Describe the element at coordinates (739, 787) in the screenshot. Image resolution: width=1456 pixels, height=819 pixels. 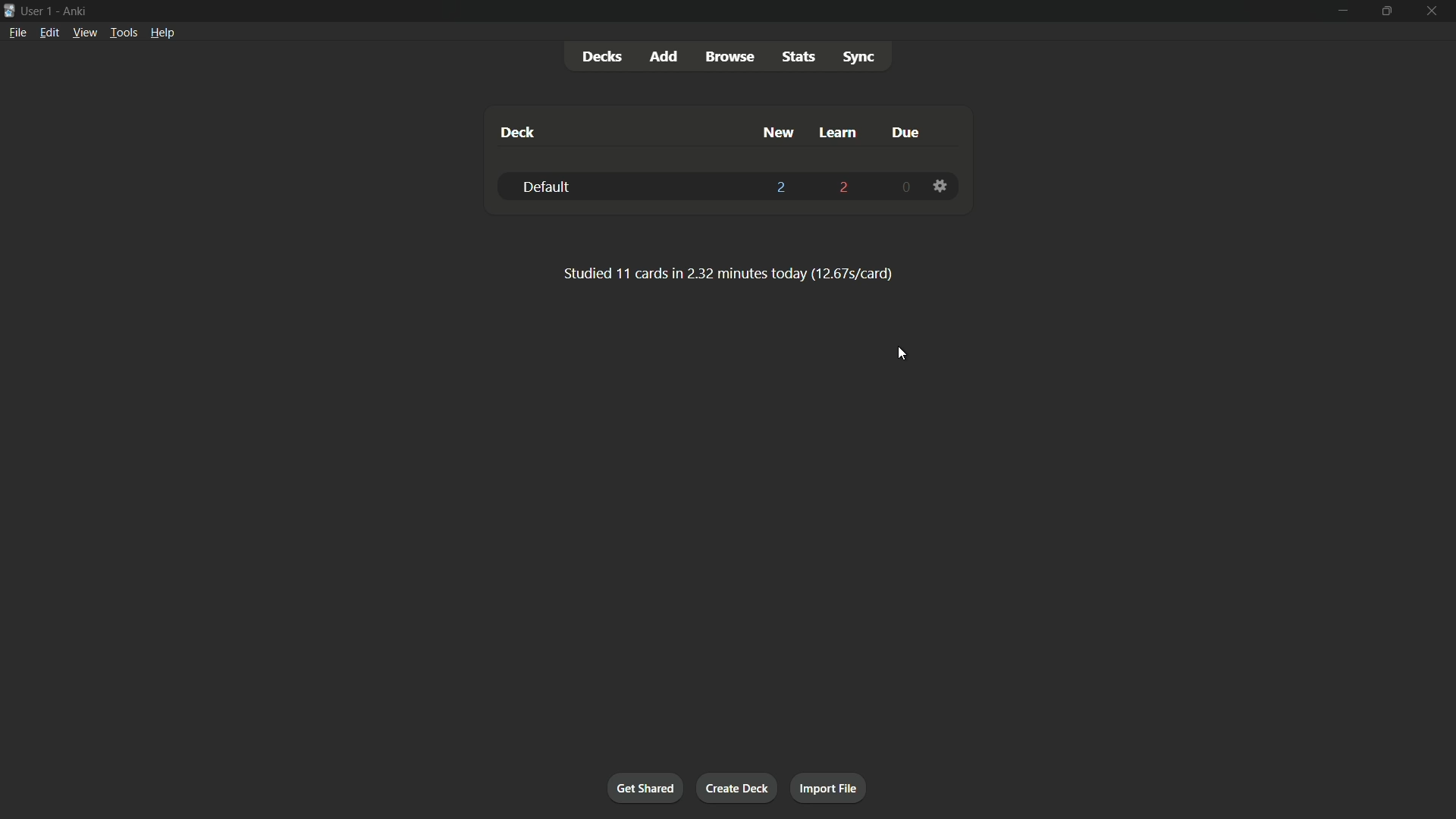
I see `create deck` at that location.